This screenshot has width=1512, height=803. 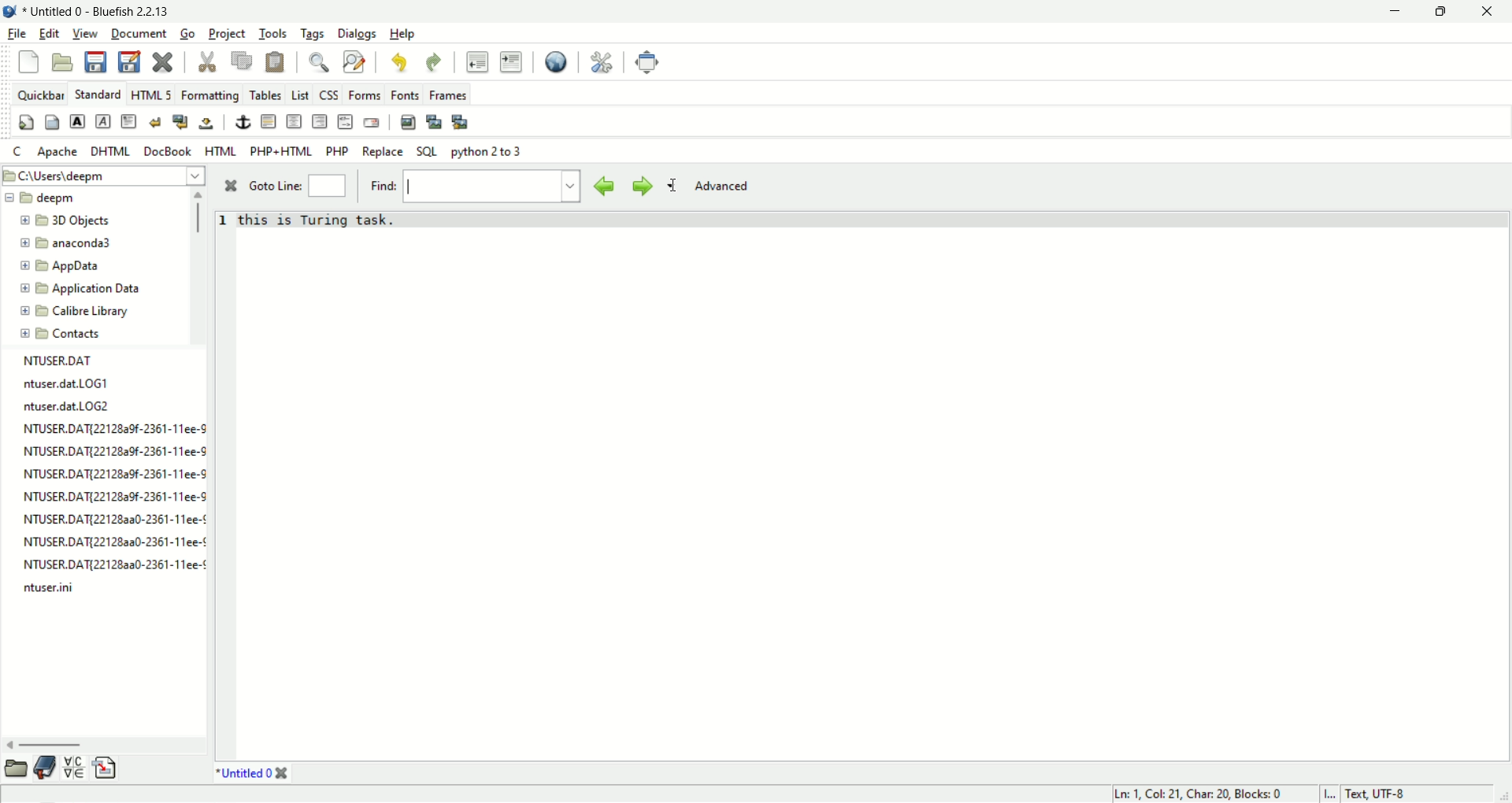 I want to click on find options, so click(x=669, y=184).